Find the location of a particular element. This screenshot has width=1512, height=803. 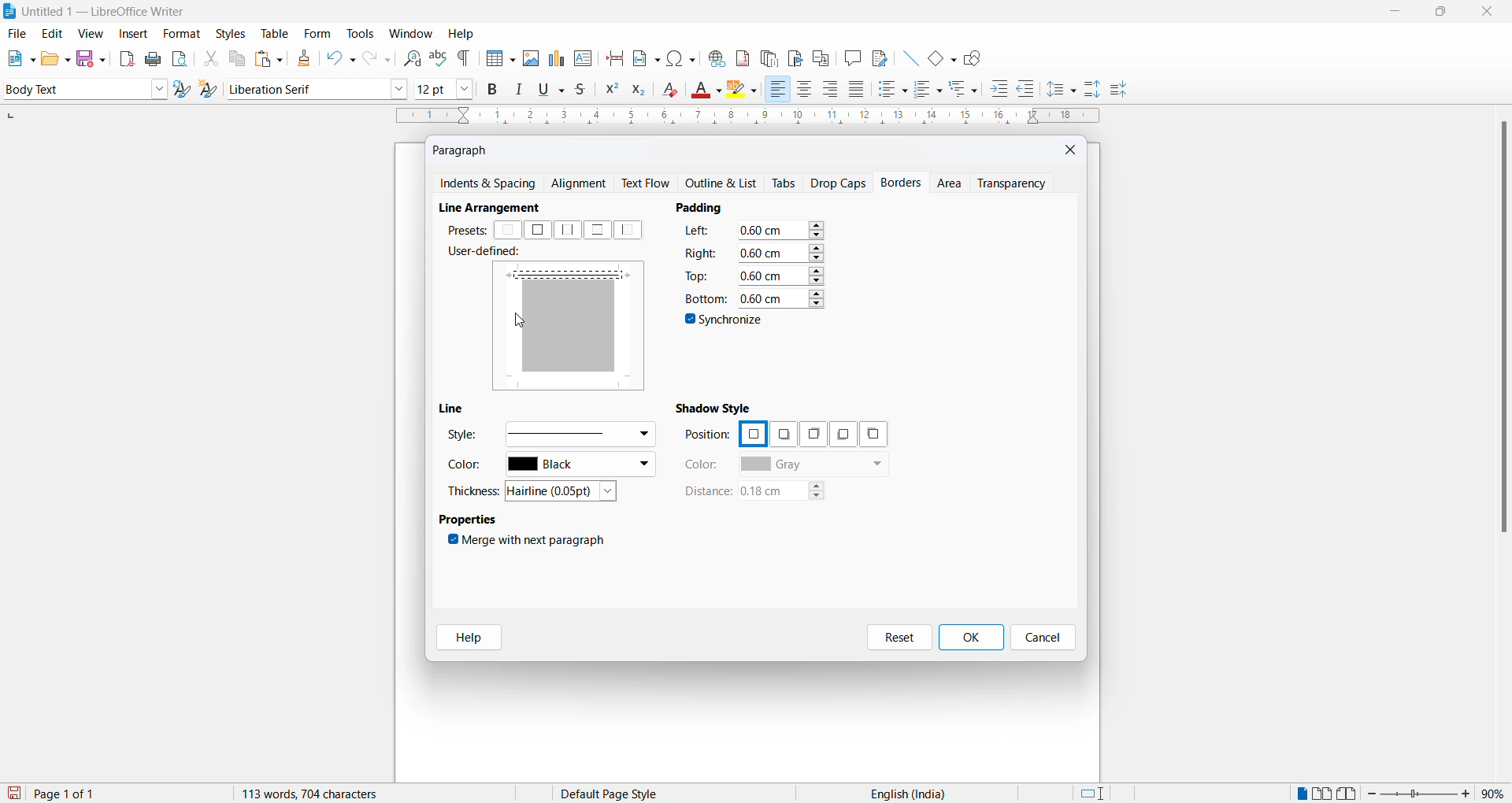

edit is located at coordinates (54, 34).